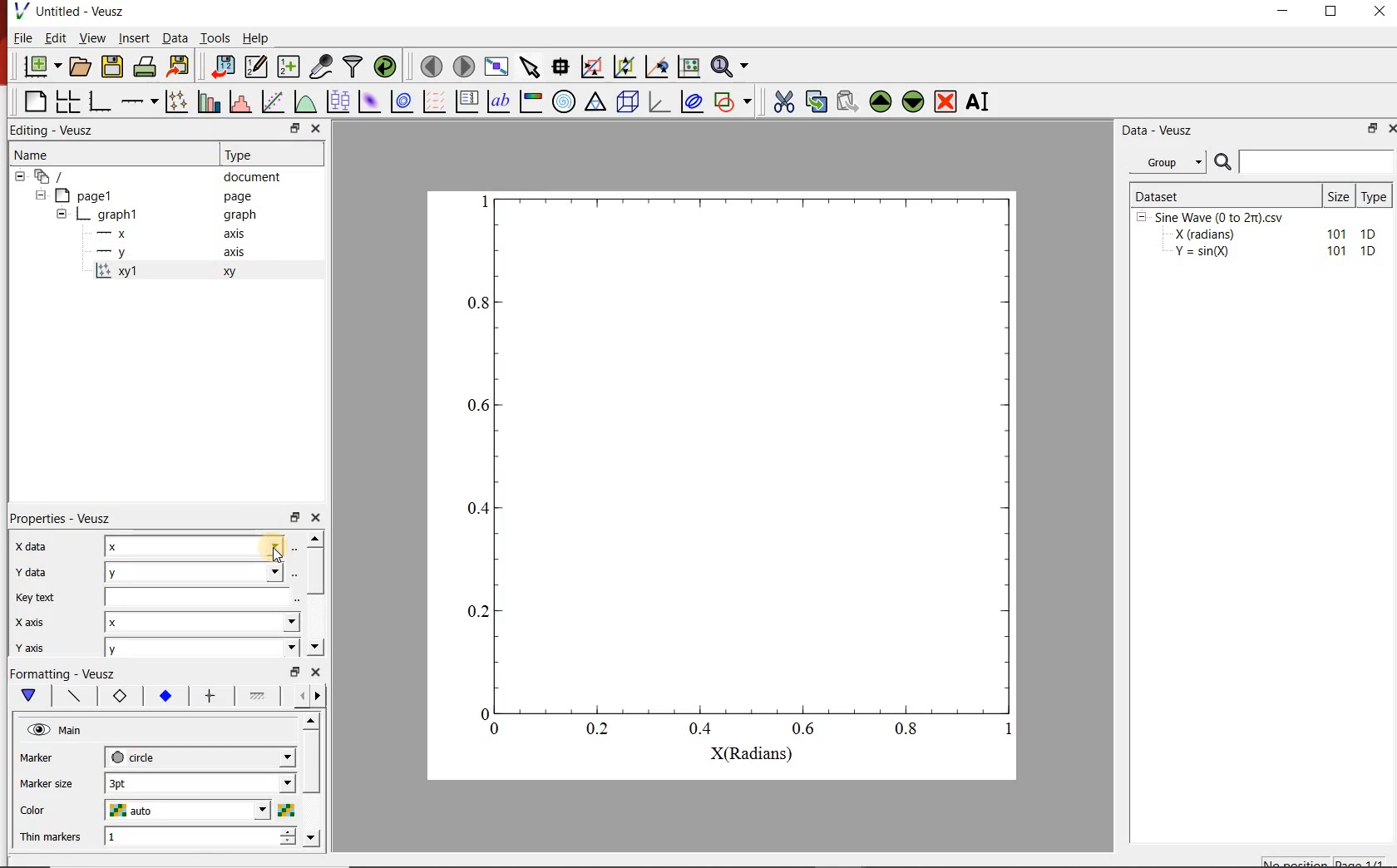 The width and height of the screenshot is (1397, 868). What do you see at coordinates (62, 672) in the screenshot?
I see `Formatting - Veusz` at bounding box center [62, 672].